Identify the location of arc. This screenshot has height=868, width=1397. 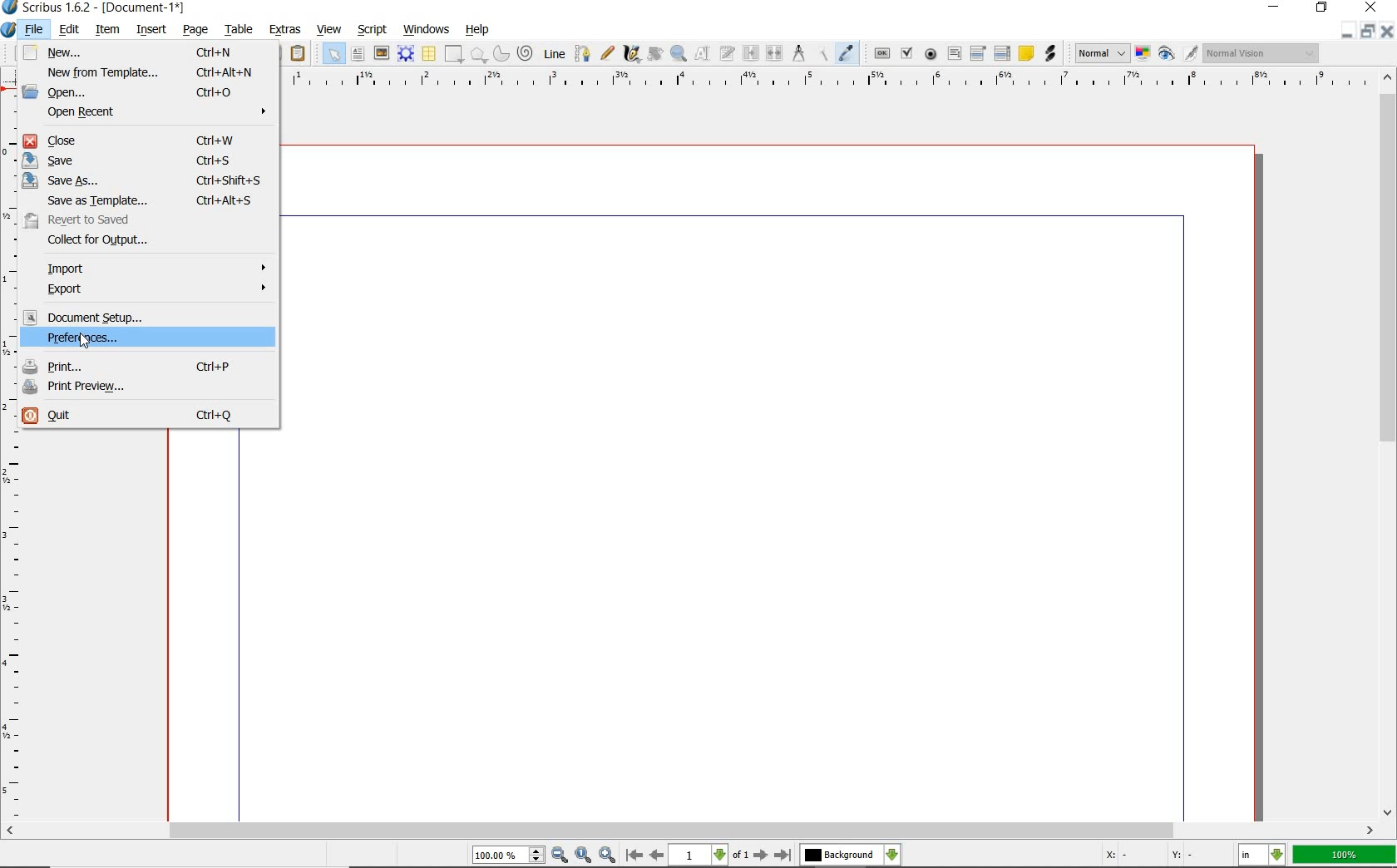
(500, 55).